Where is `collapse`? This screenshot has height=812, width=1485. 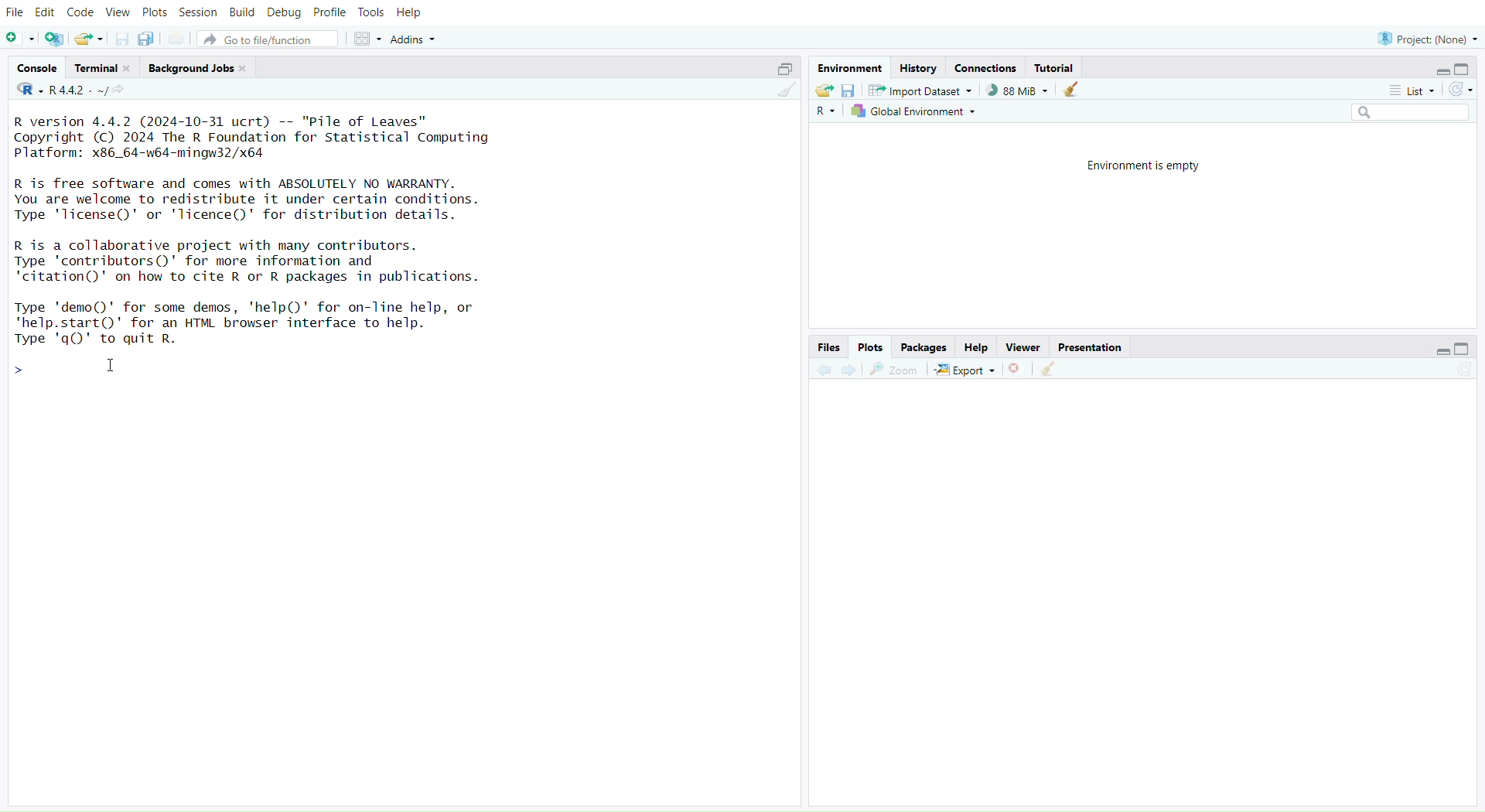 collapse is located at coordinates (1467, 348).